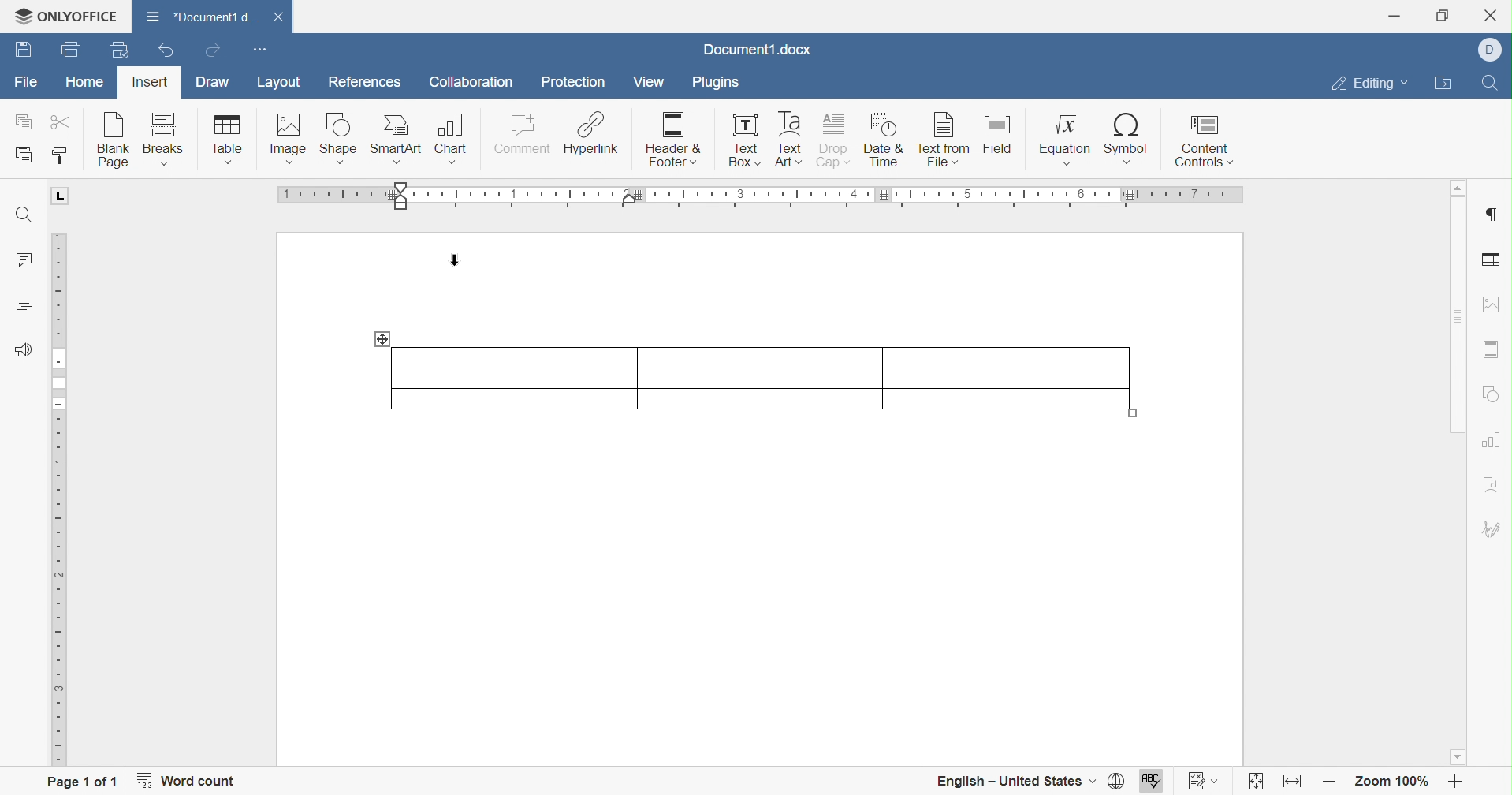 Image resolution: width=1512 pixels, height=795 pixels. I want to click on Close, so click(282, 16).